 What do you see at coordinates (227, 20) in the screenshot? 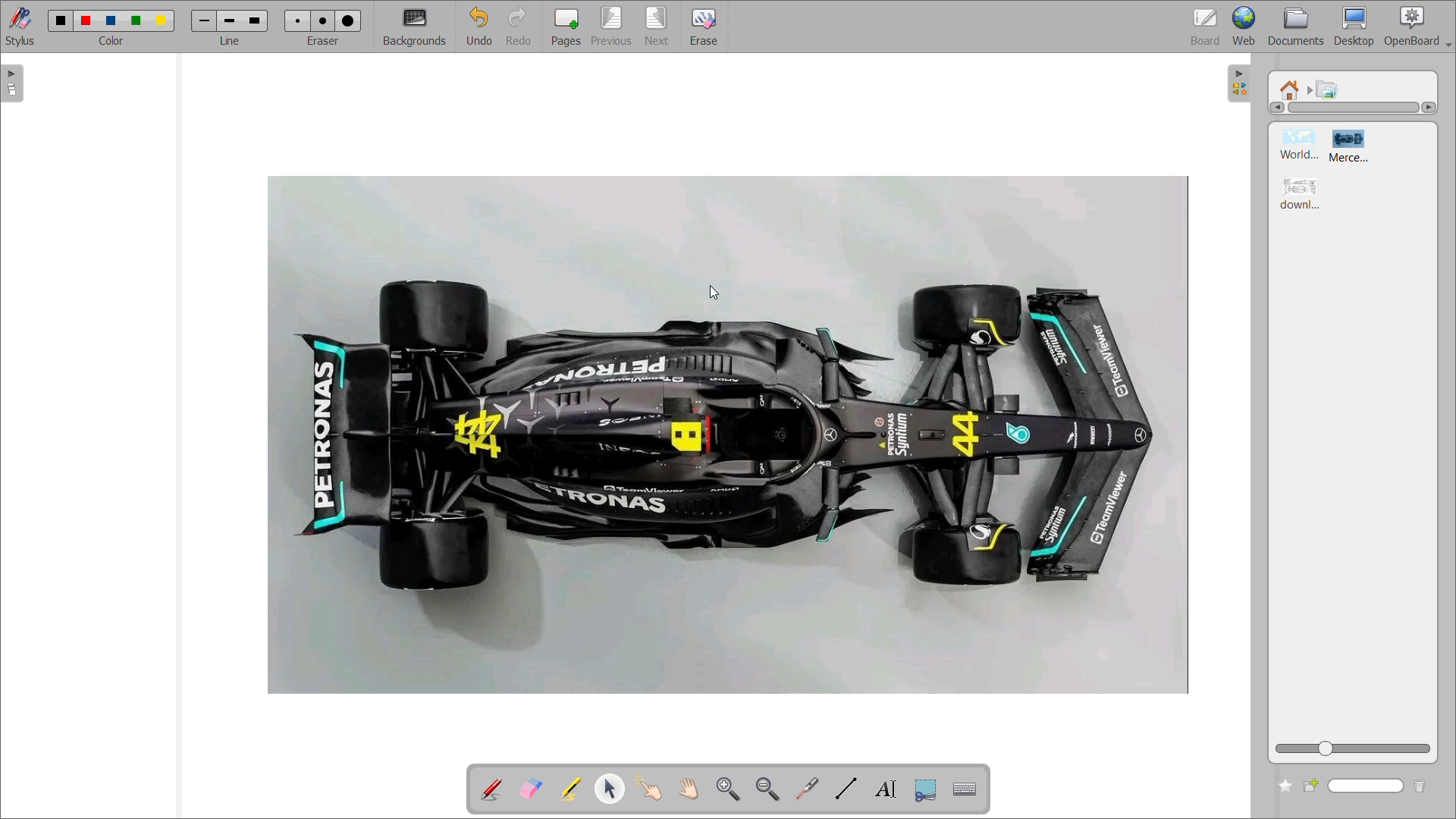
I see `line 2` at bounding box center [227, 20].